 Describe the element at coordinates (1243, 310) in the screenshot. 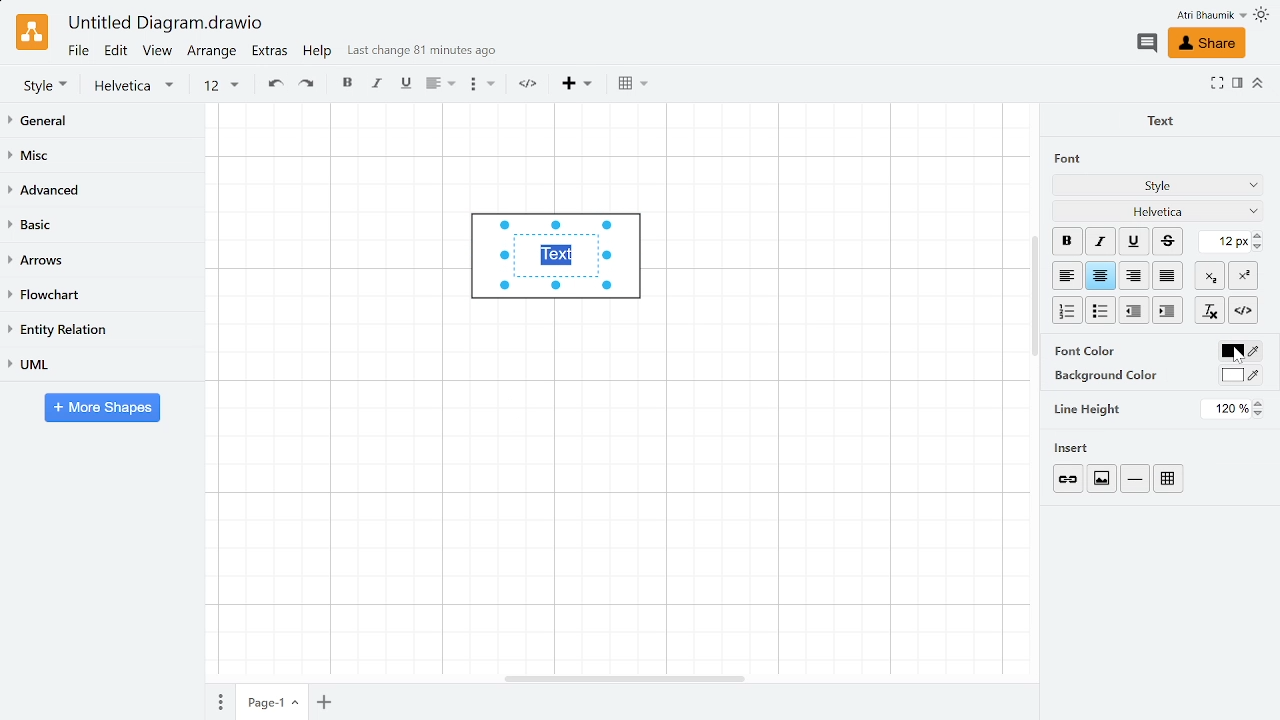

I see `HTML` at that location.